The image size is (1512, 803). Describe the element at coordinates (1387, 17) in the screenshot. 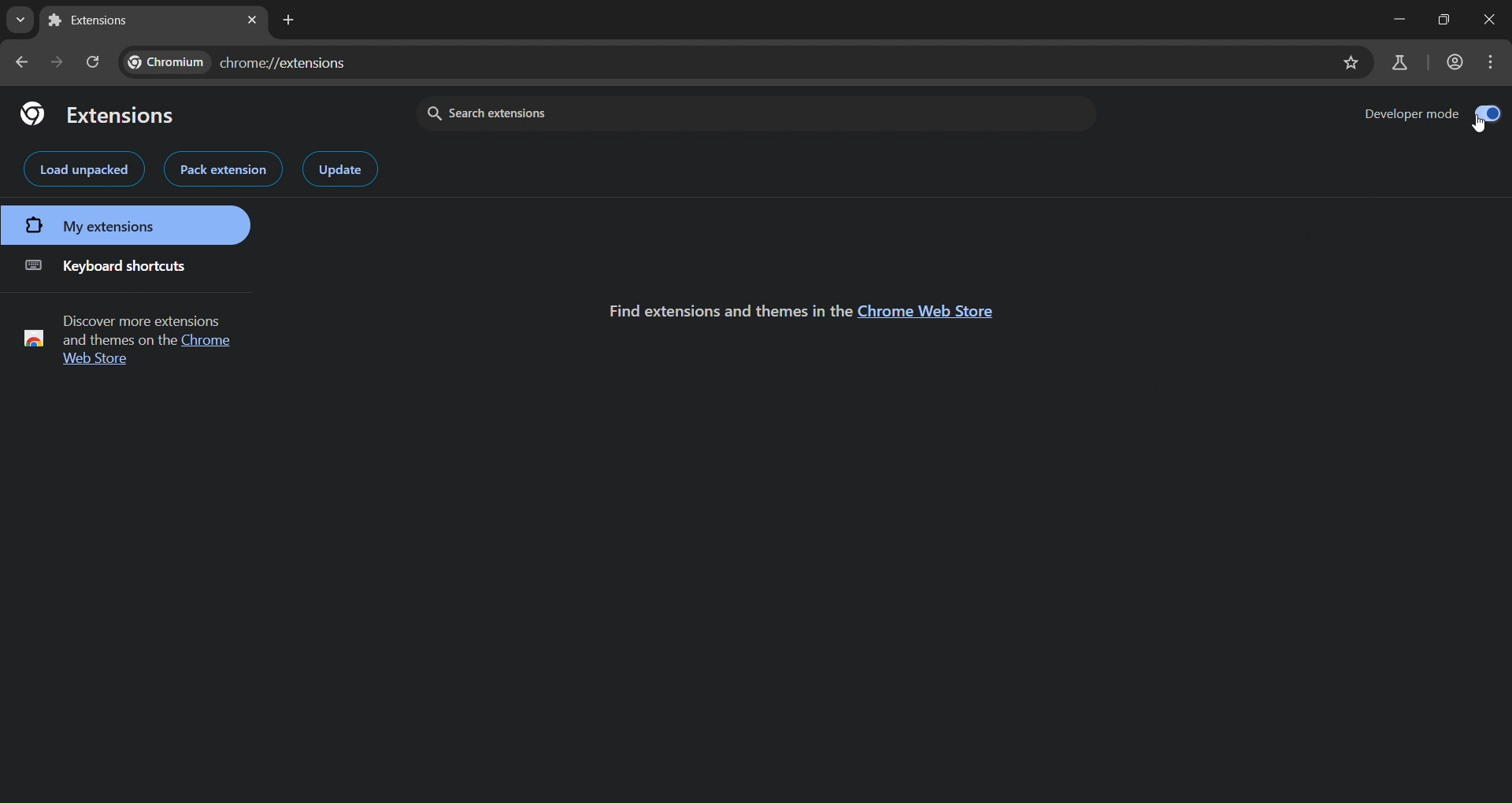

I see `minimize` at that location.